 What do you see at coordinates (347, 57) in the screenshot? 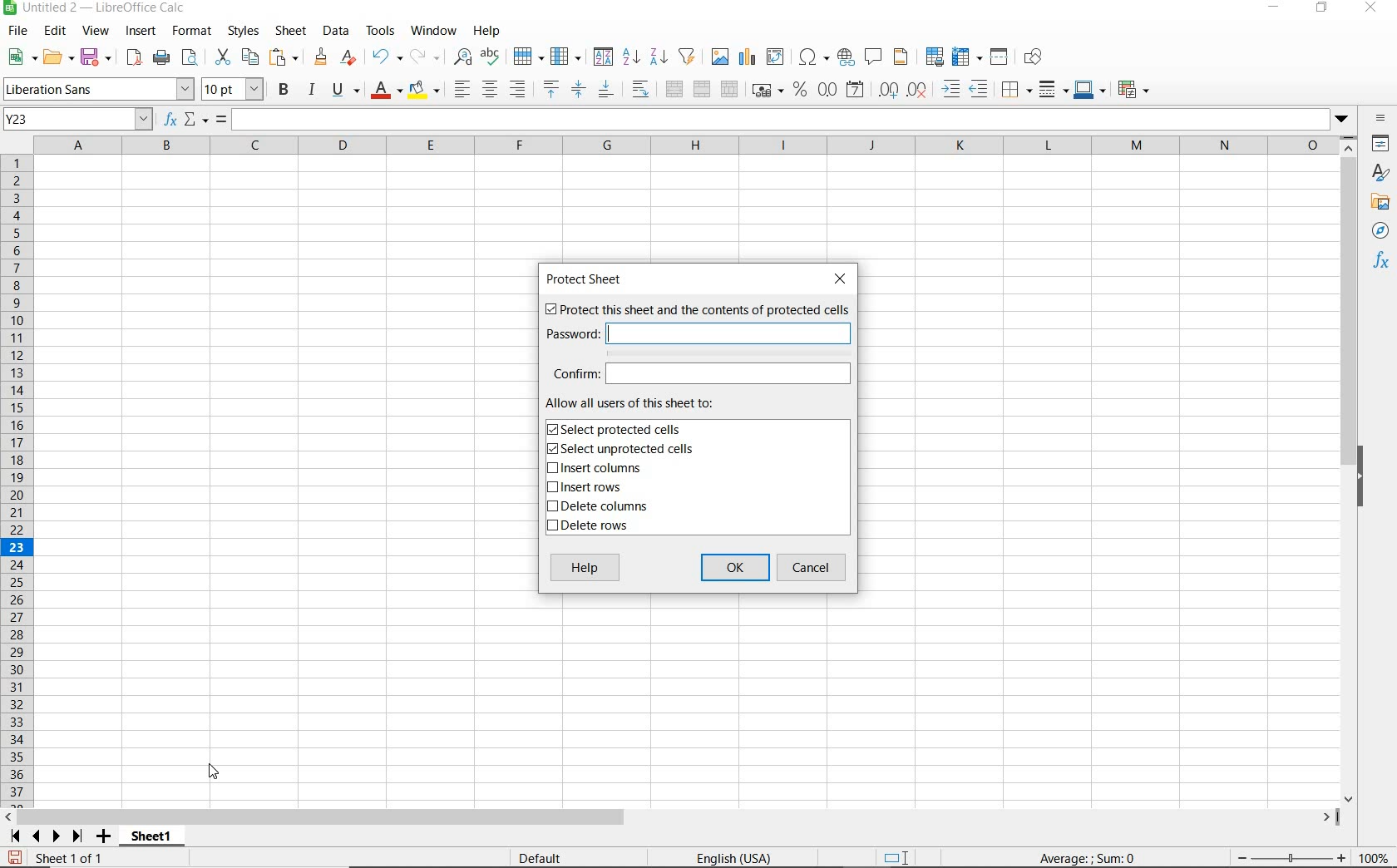
I see `CLEAR DIRECT FORMATTING` at bounding box center [347, 57].